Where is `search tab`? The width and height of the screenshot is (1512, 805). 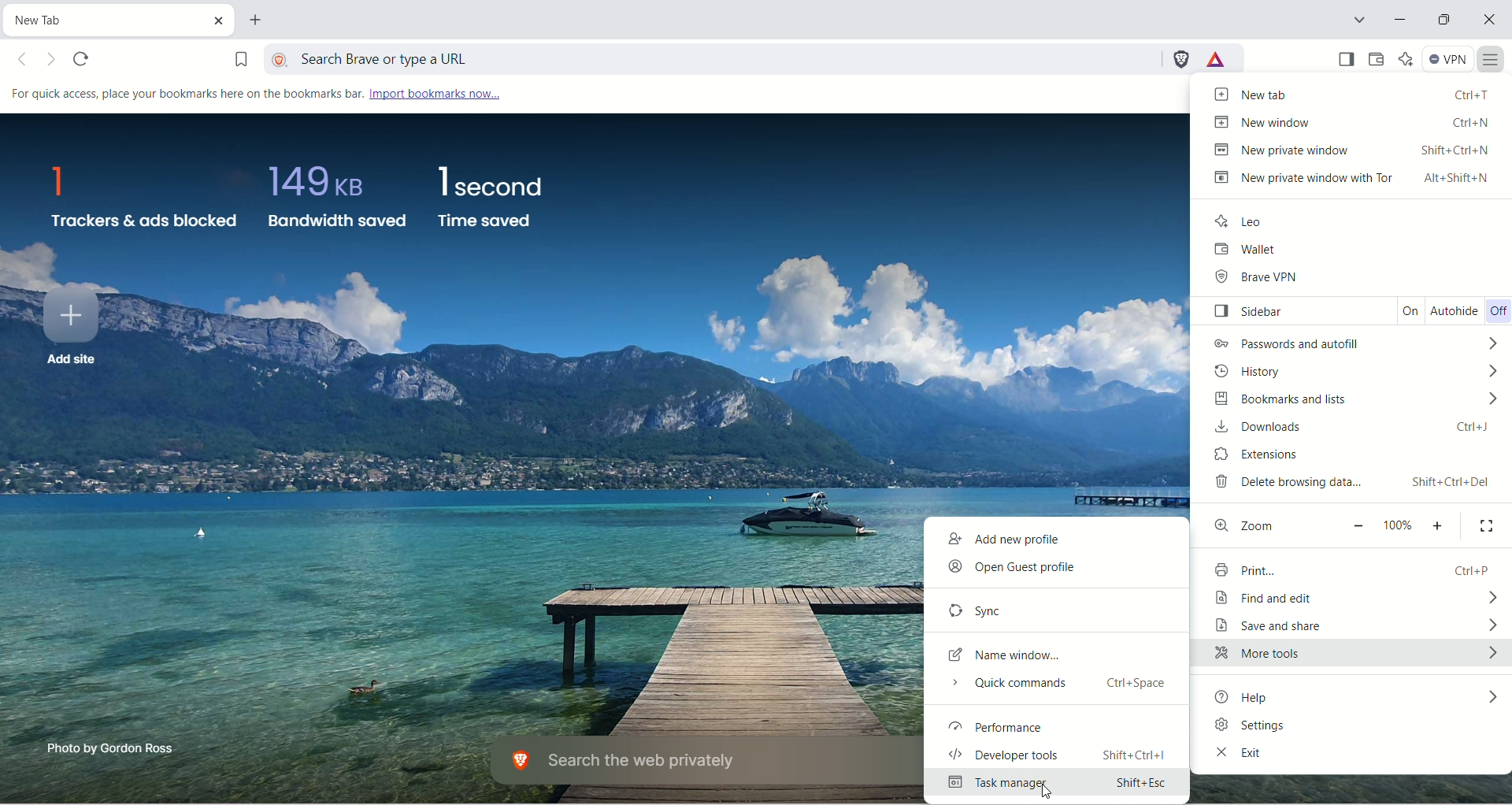 search tab is located at coordinates (1362, 20).